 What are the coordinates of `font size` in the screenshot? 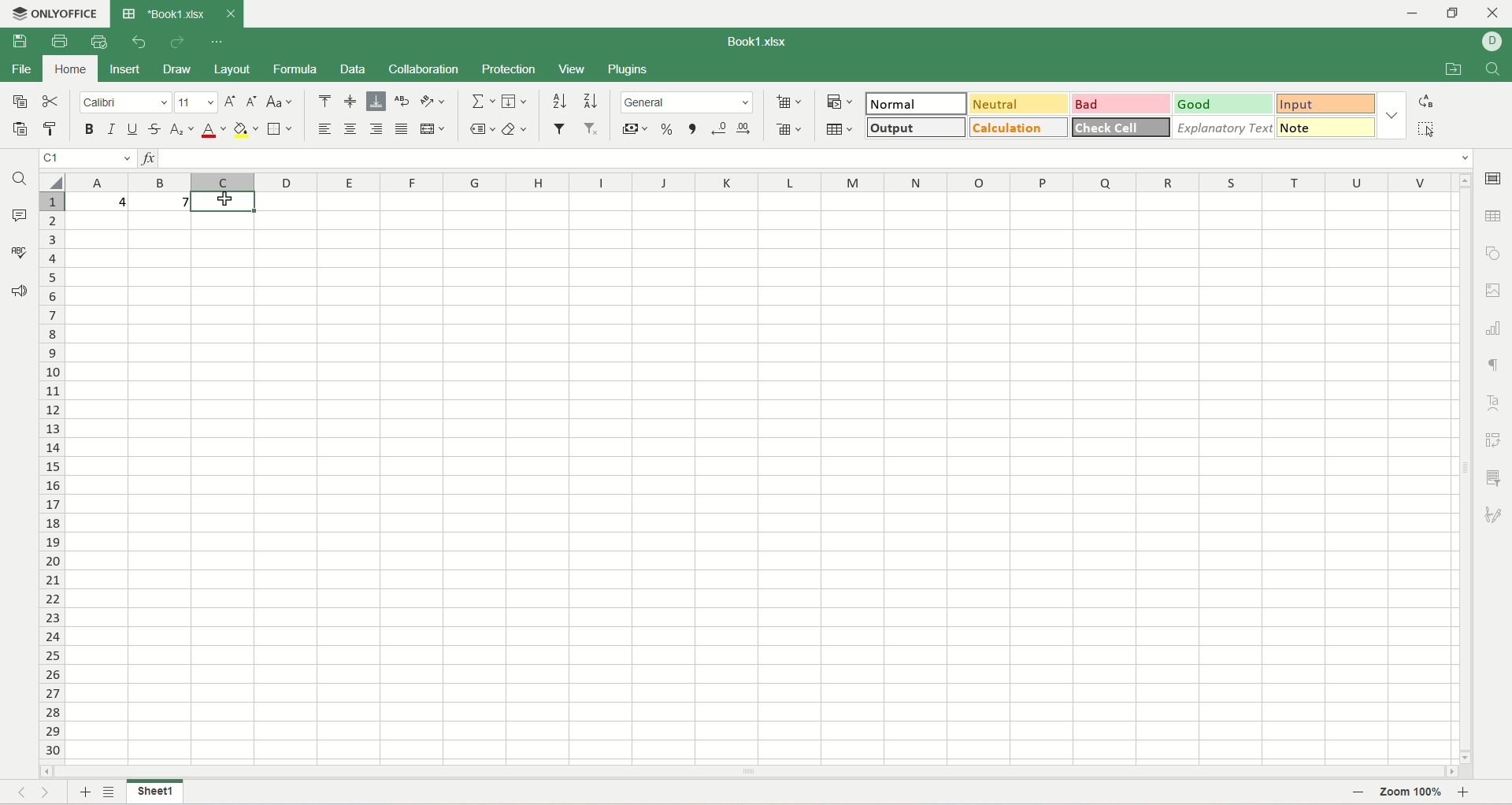 It's located at (196, 101).